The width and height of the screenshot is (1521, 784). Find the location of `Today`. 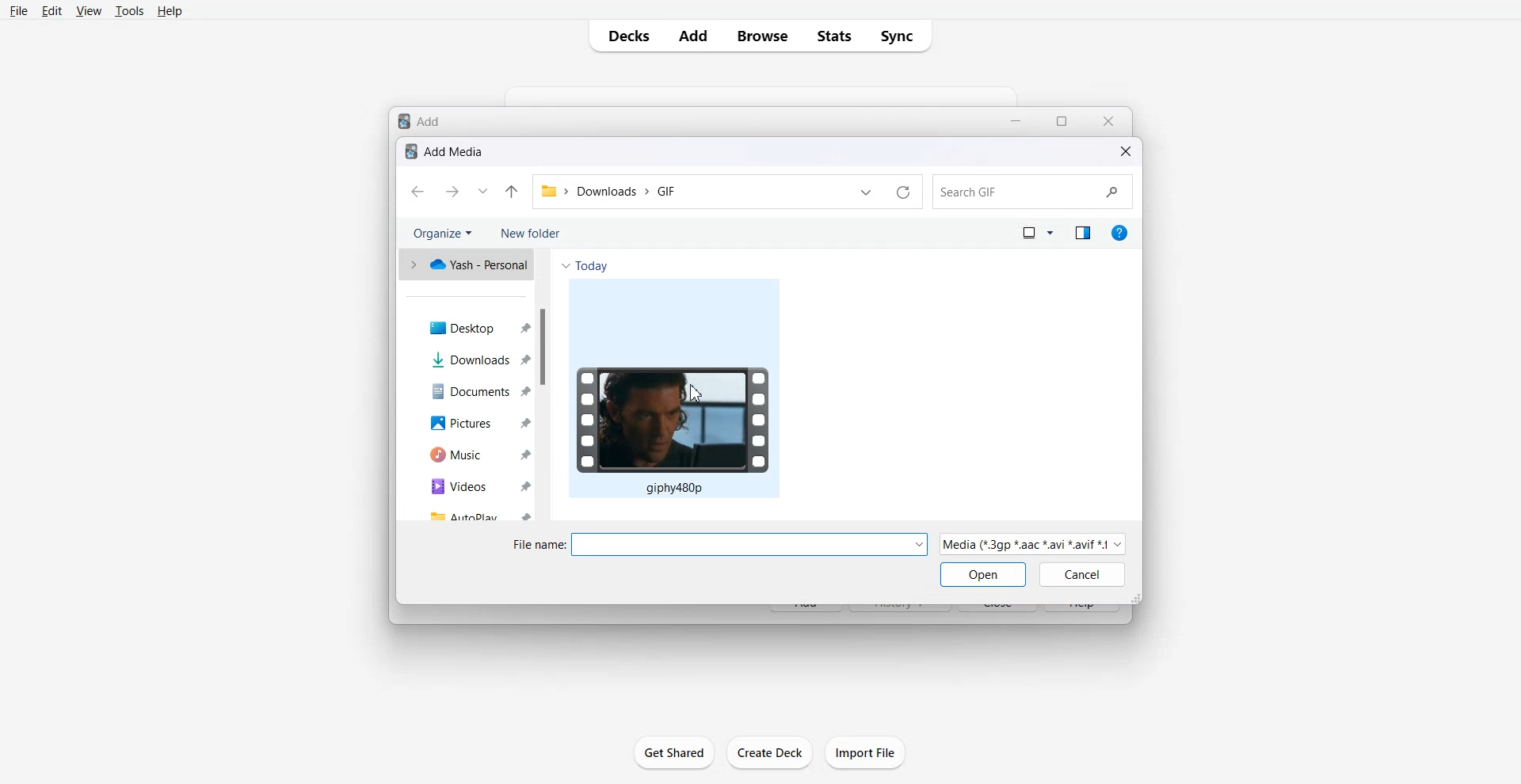

Today is located at coordinates (584, 264).